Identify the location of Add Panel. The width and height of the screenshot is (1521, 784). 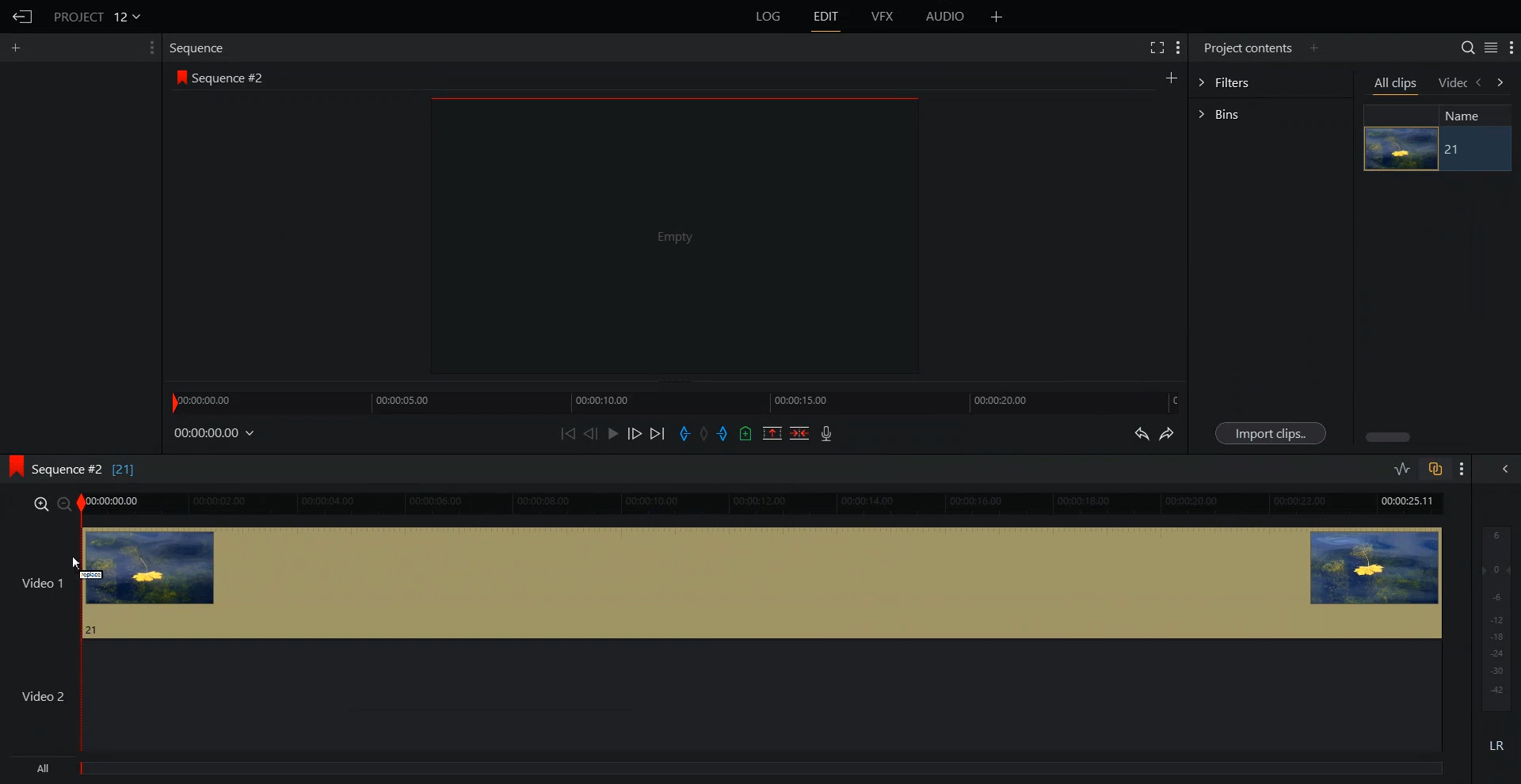
(16, 48).